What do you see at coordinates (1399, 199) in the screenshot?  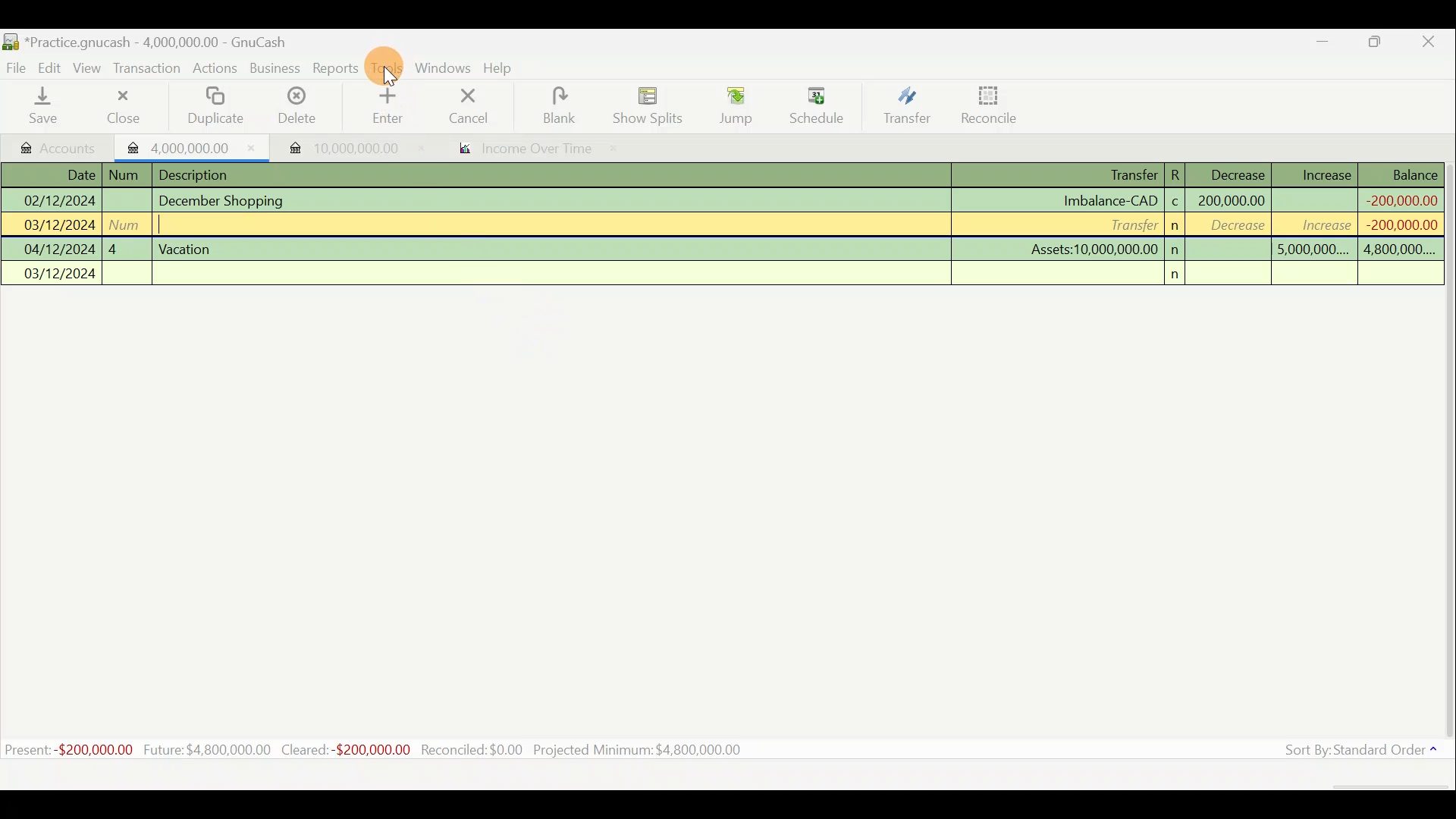 I see `-200,000,000` at bounding box center [1399, 199].